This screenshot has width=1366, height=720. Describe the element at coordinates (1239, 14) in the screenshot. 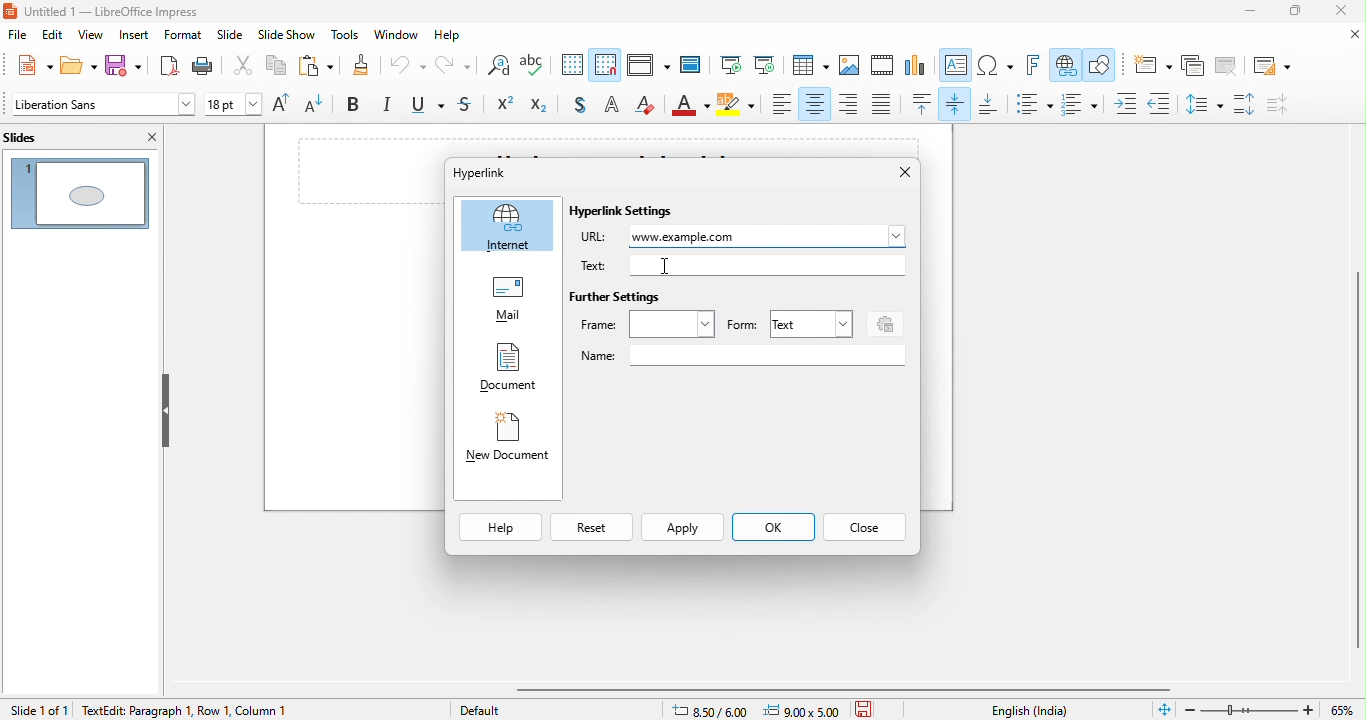

I see `minimize` at that location.